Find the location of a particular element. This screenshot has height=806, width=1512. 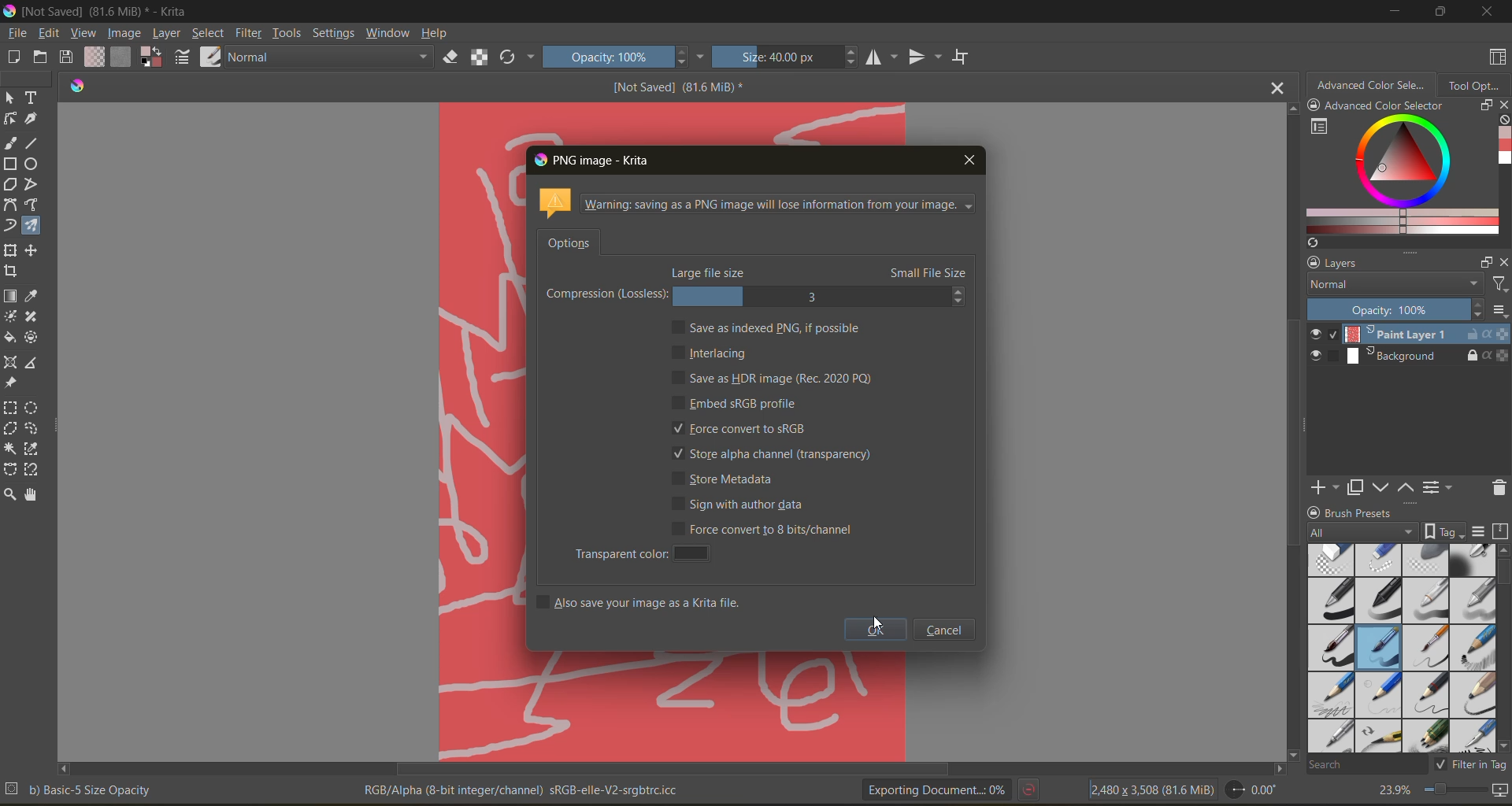

tool is located at coordinates (32, 317).